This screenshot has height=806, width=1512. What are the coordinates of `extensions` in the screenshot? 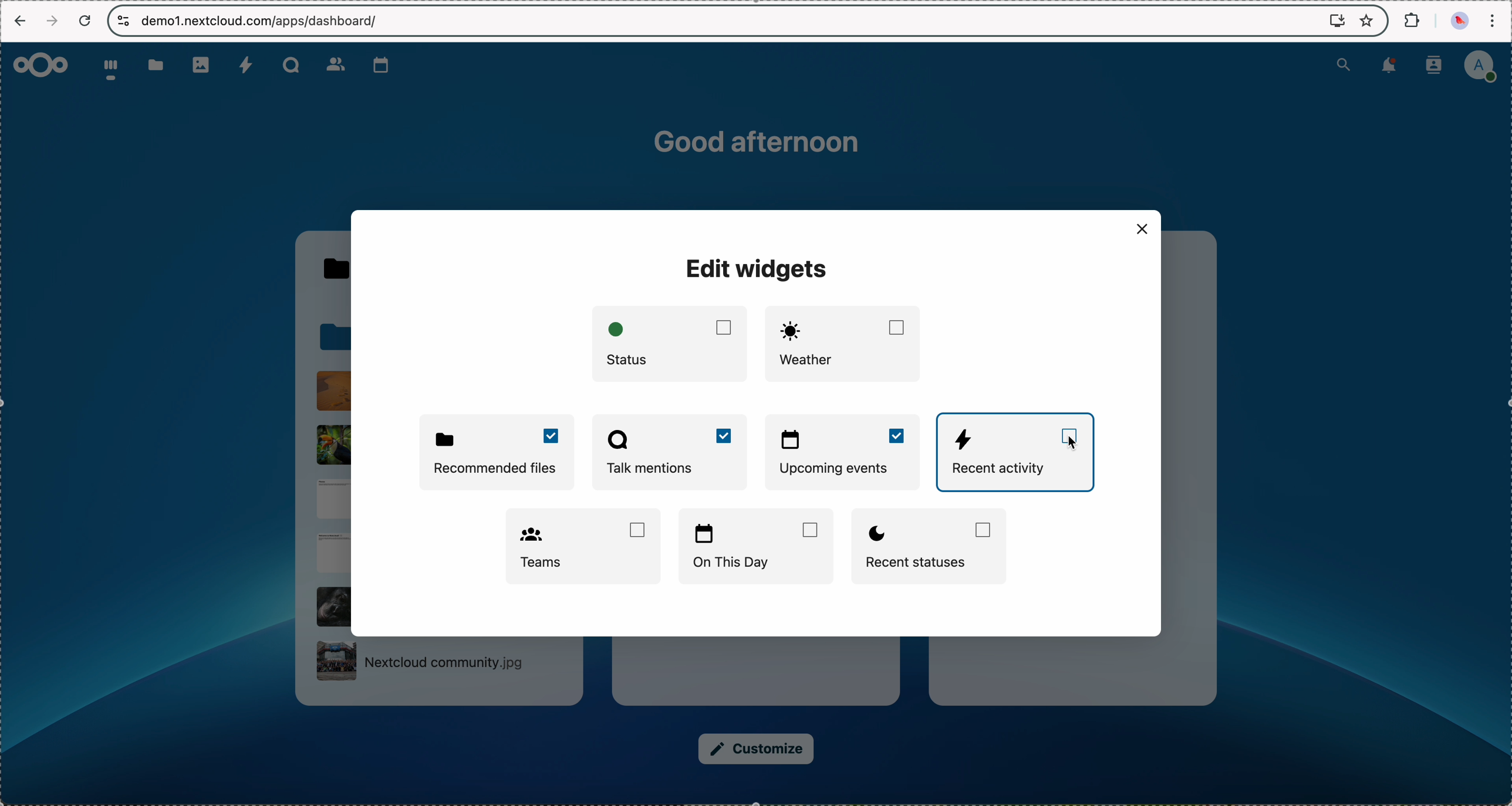 It's located at (1410, 19).